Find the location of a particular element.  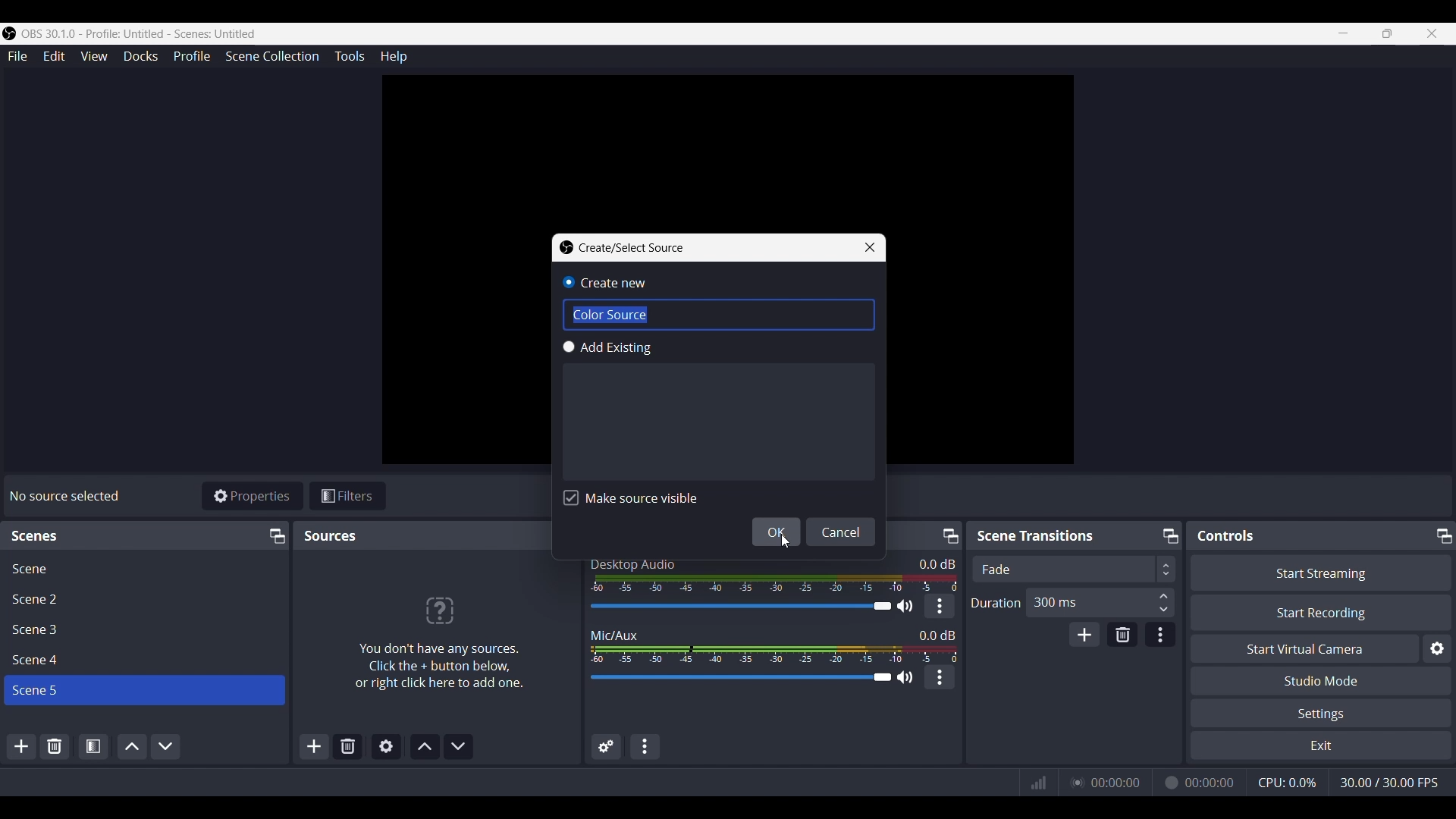

Start Recording is located at coordinates (1320, 612).